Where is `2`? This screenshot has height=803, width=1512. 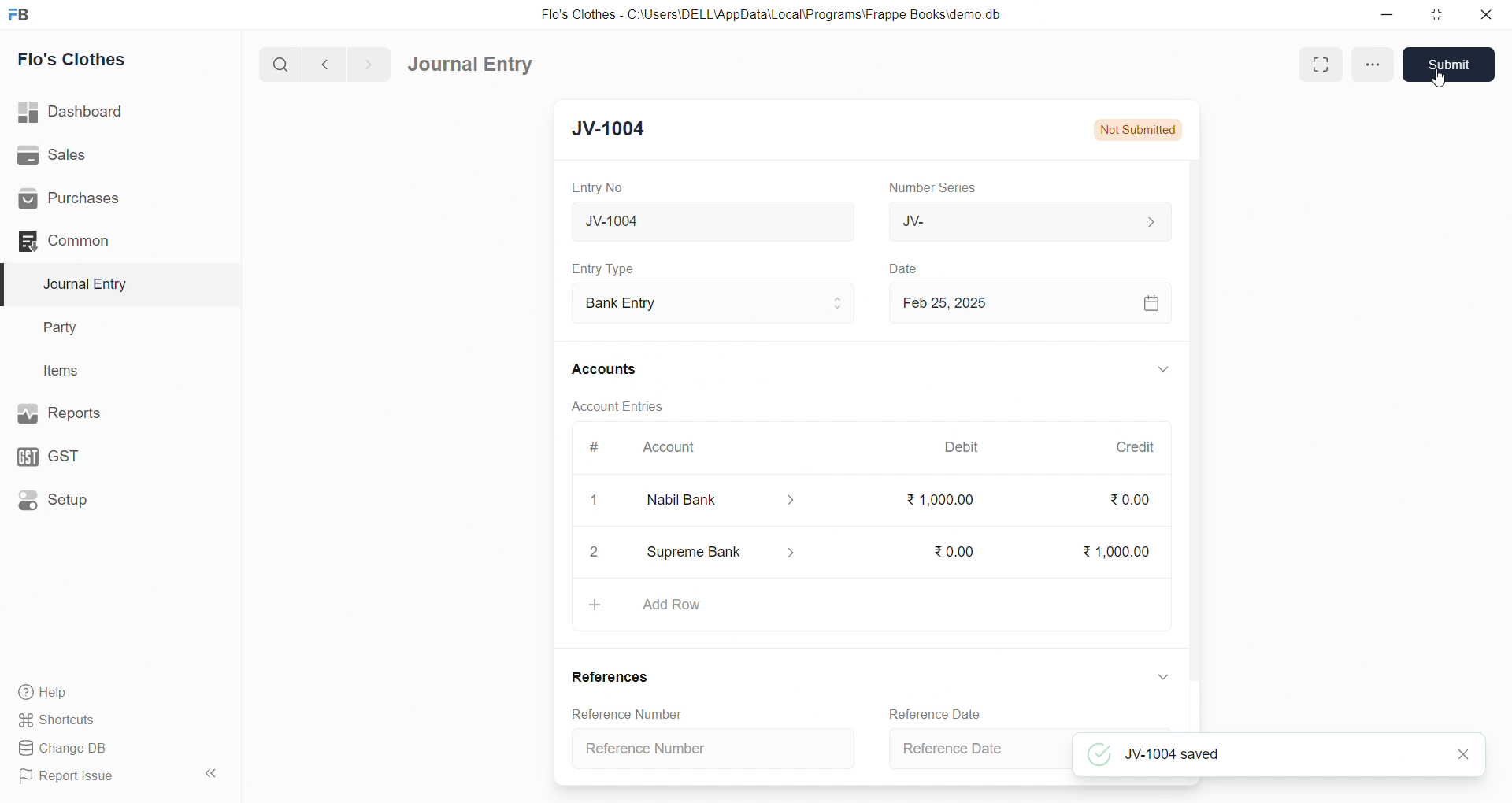 2 is located at coordinates (595, 553).